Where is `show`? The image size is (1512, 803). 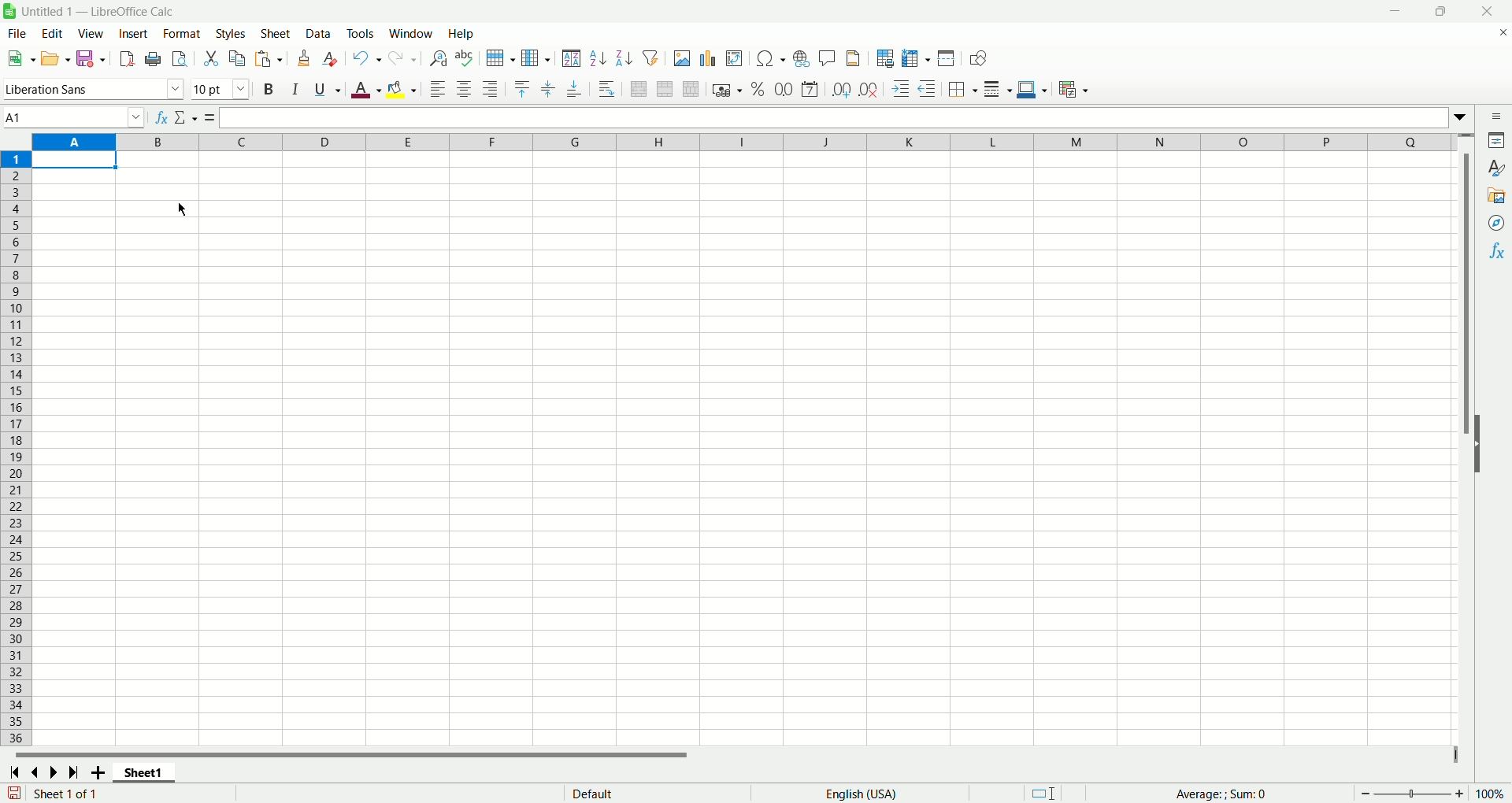 show is located at coordinates (1485, 442).